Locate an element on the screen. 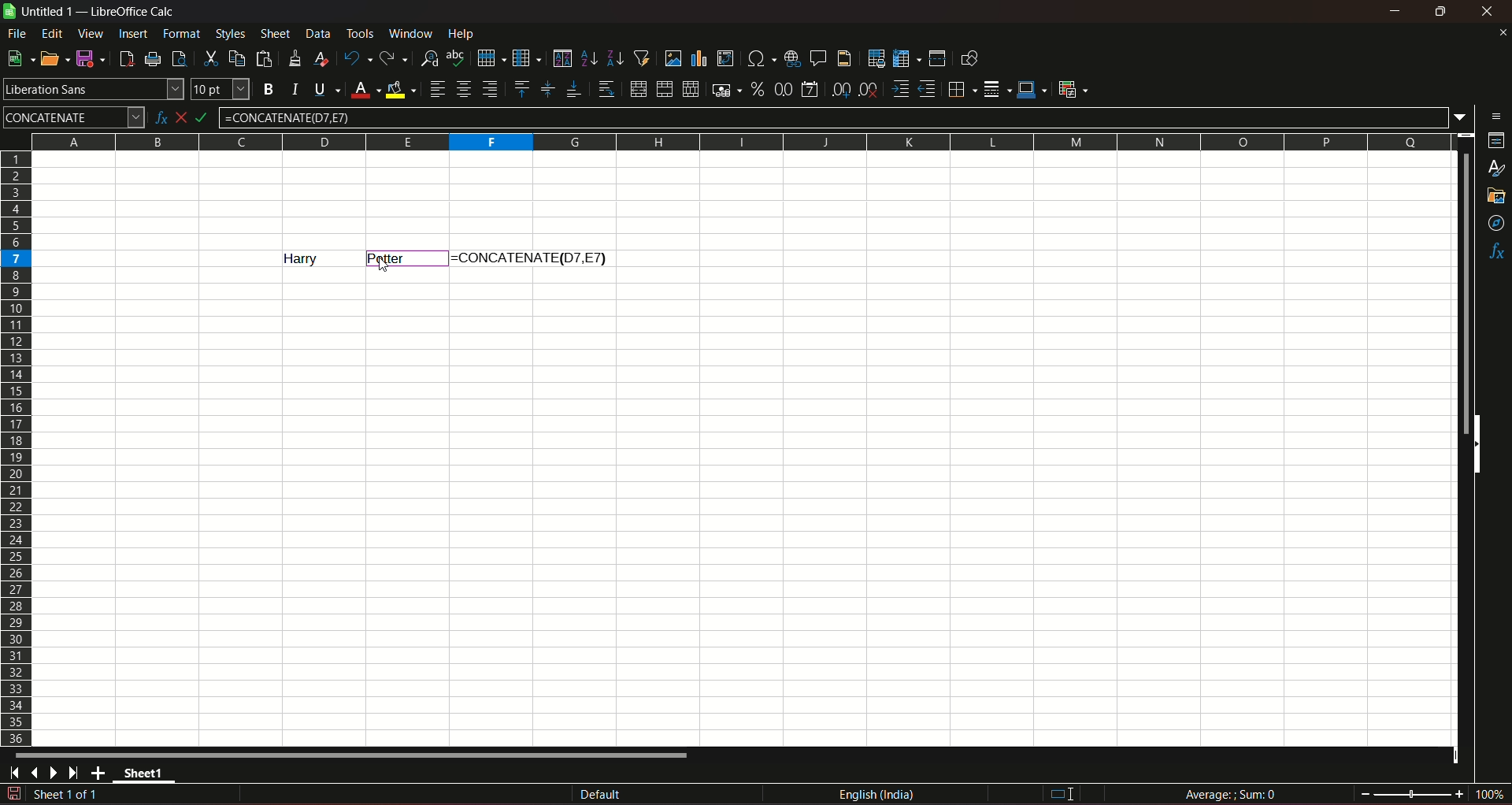  text is located at coordinates (487, 256).